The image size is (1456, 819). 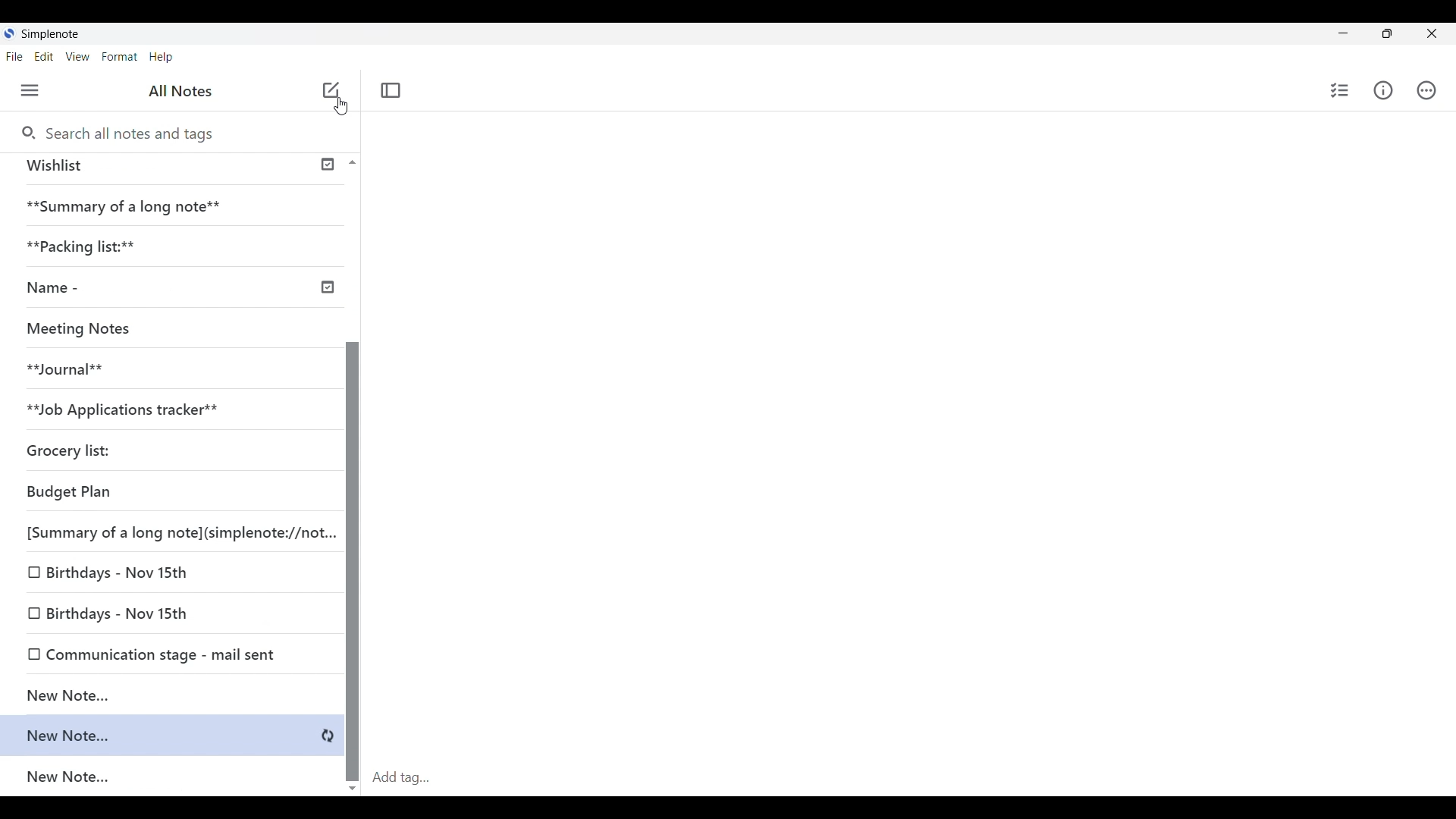 I want to click on Wishlist, so click(x=168, y=165).